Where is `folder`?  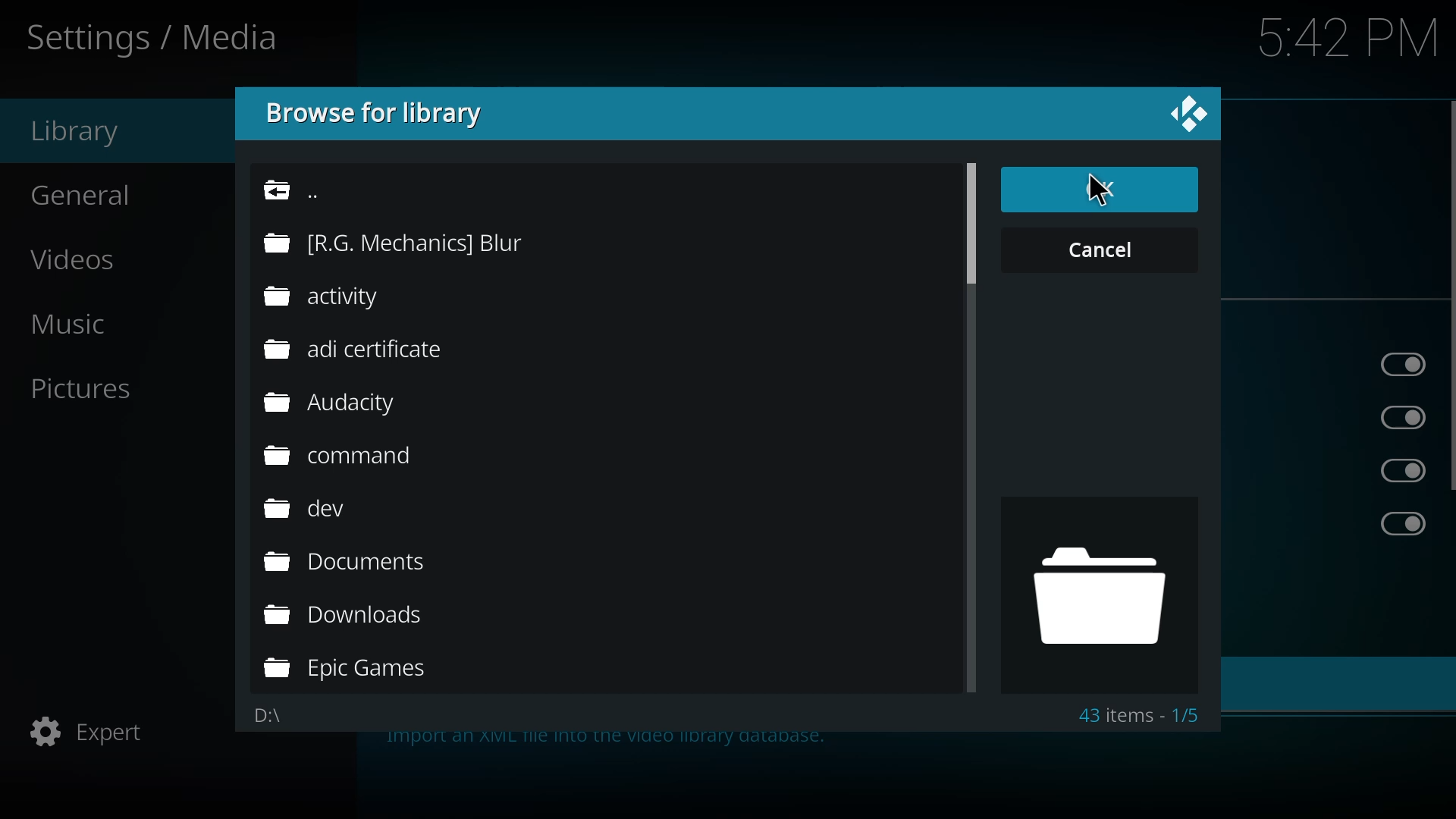 folder is located at coordinates (335, 406).